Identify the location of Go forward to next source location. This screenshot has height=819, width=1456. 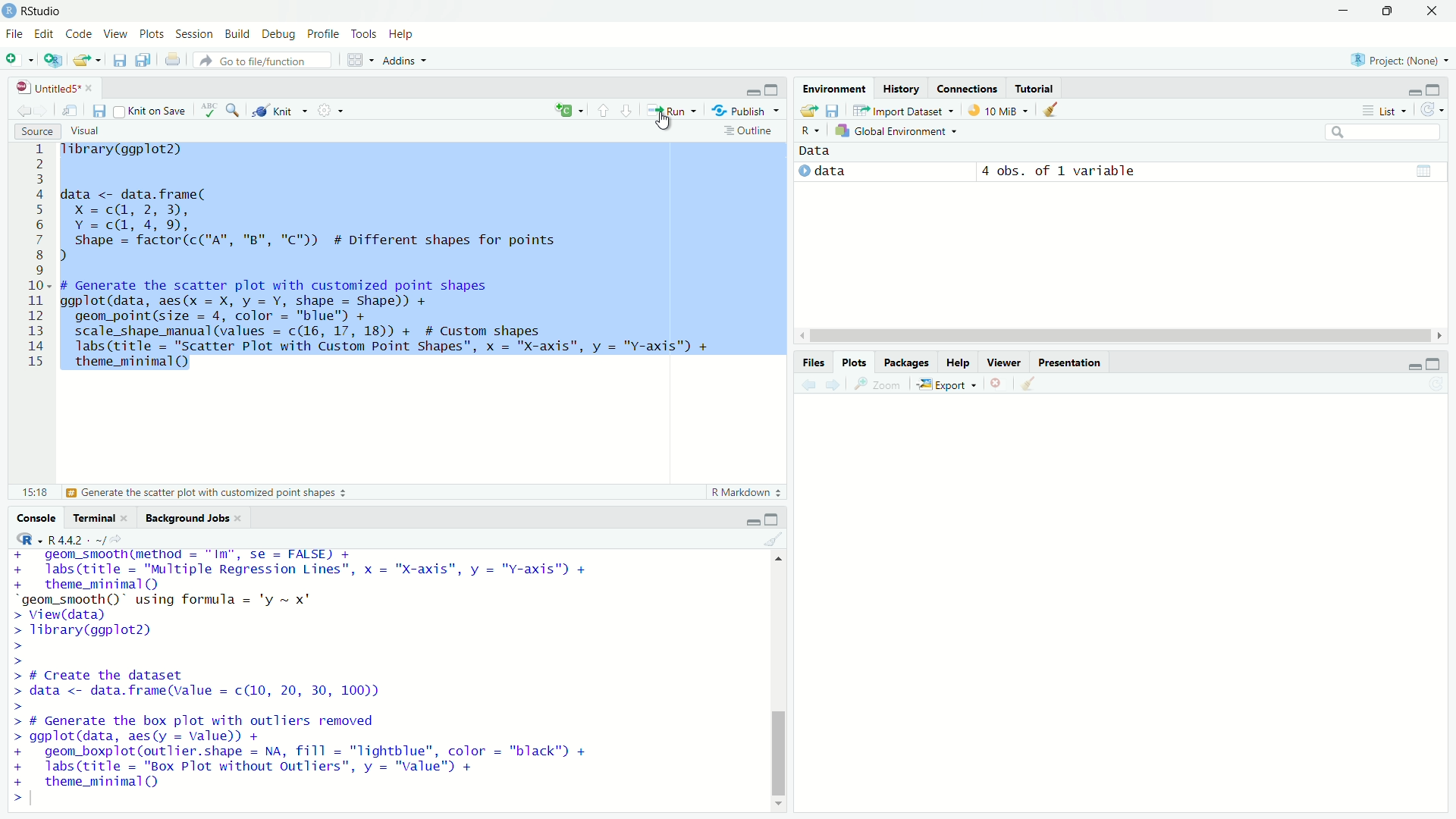
(41, 111).